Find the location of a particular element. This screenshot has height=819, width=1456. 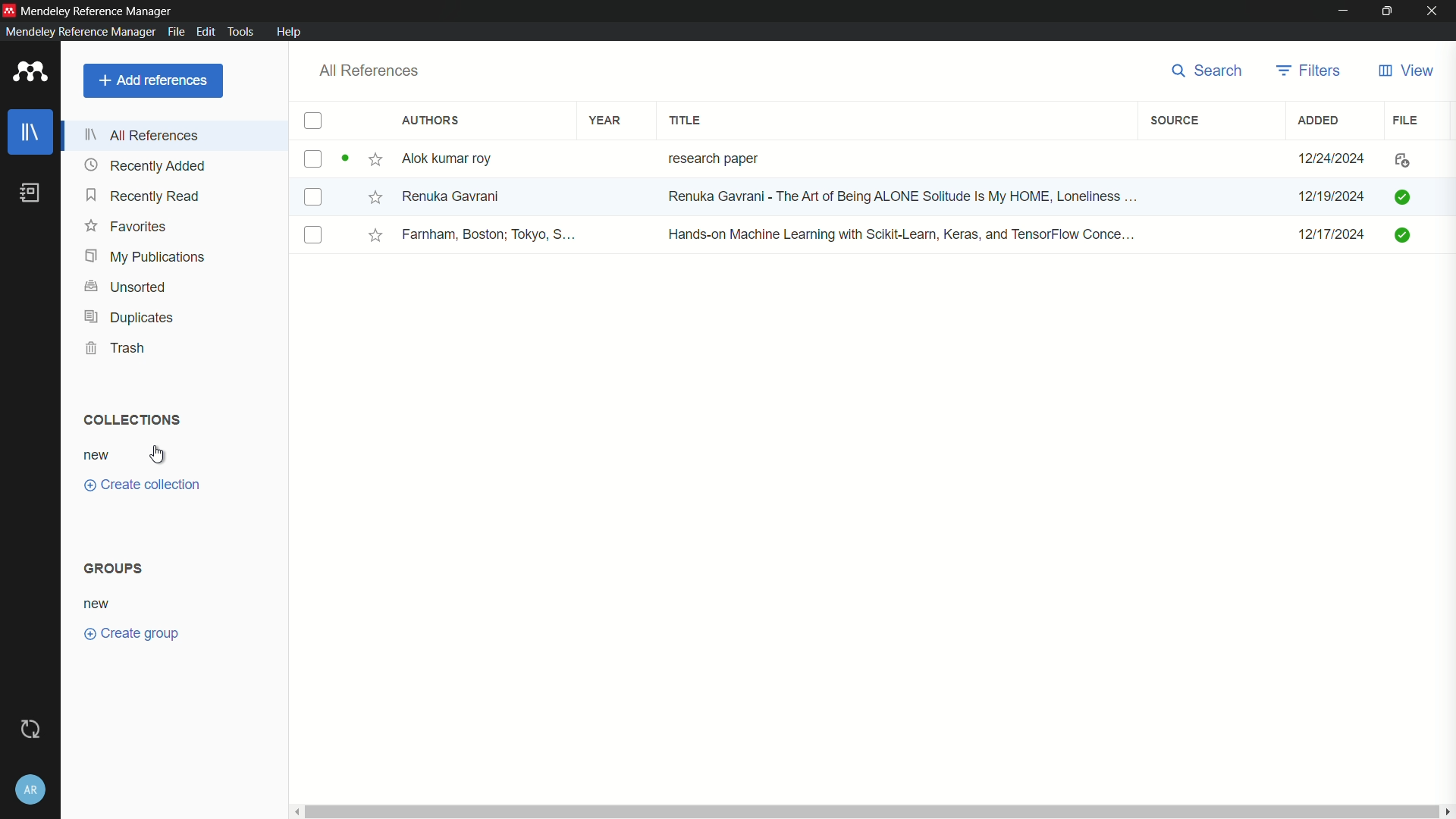

recently read is located at coordinates (145, 196).